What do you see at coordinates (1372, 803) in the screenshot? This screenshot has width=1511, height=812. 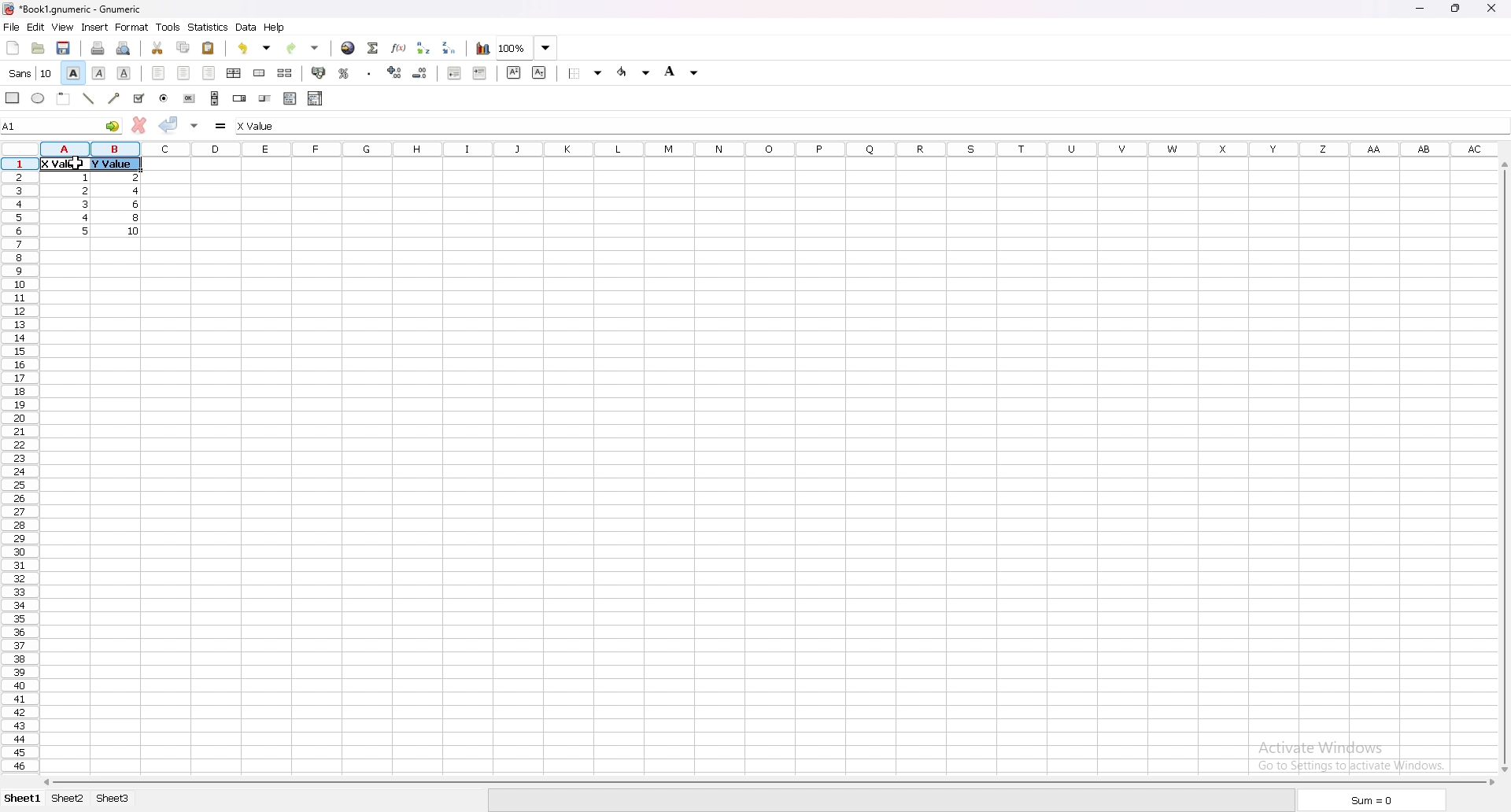 I see `sum` at bounding box center [1372, 803].